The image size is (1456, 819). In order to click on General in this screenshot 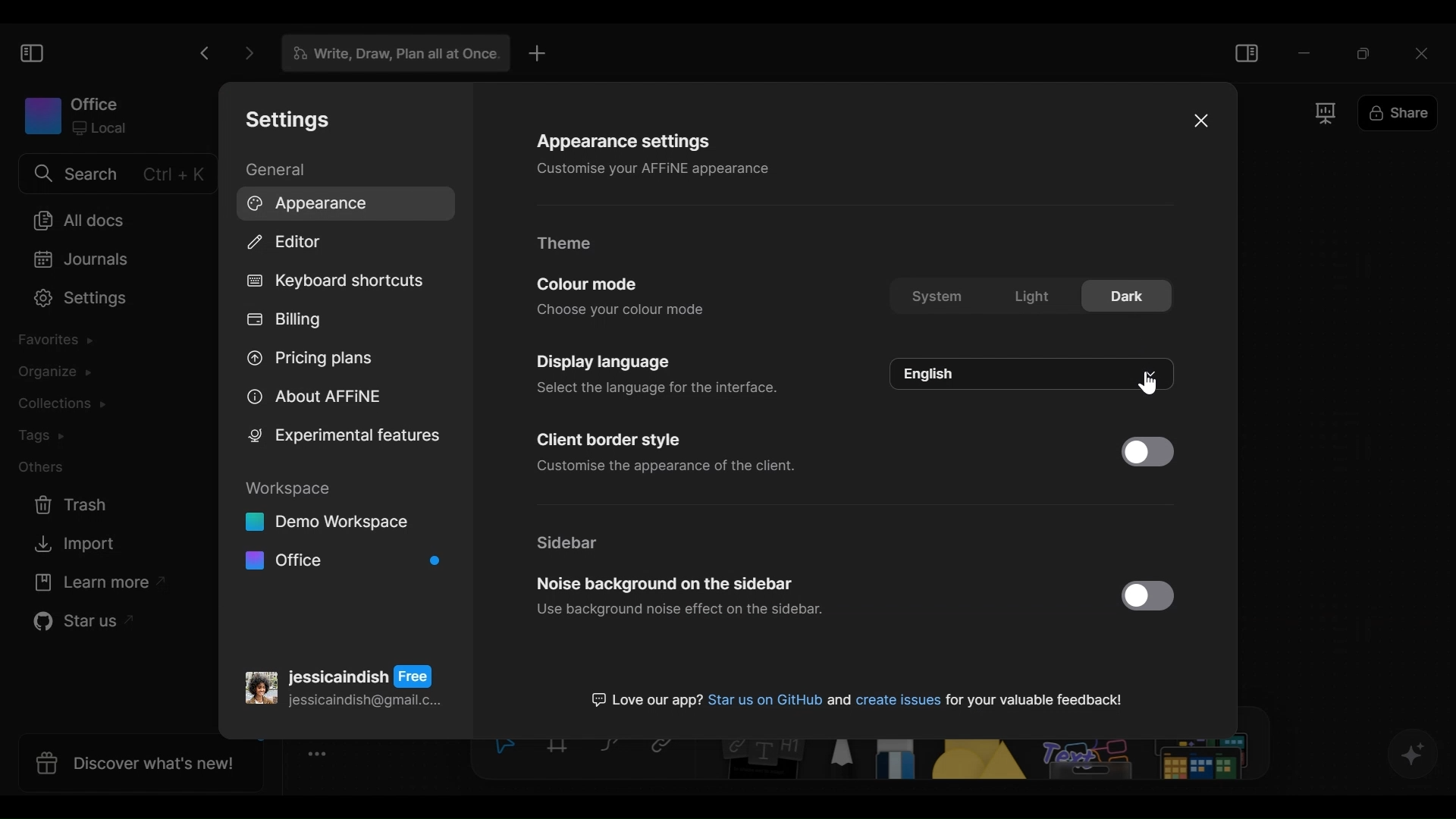, I will do `click(278, 169)`.